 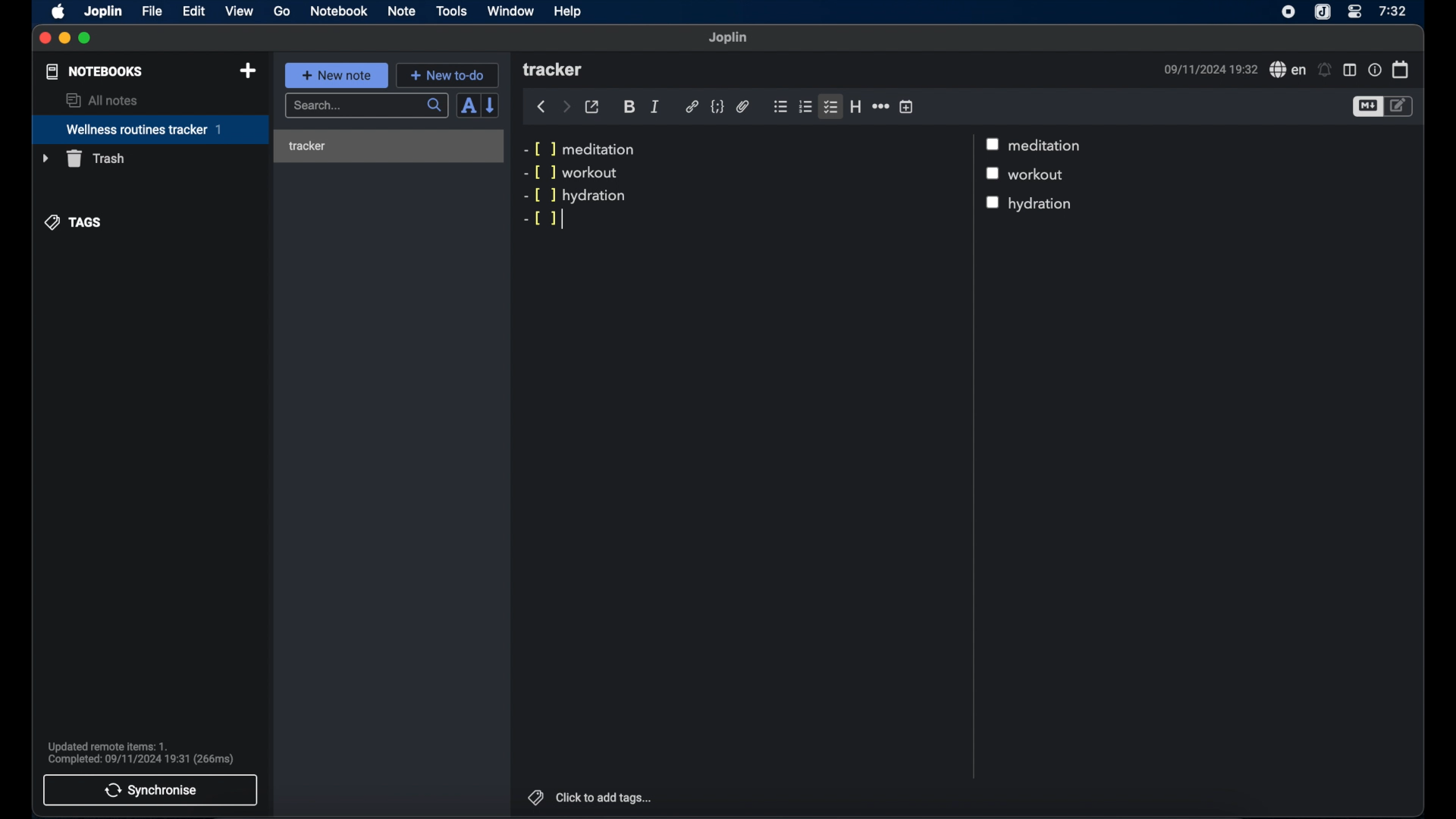 I want to click on close, so click(x=45, y=39).